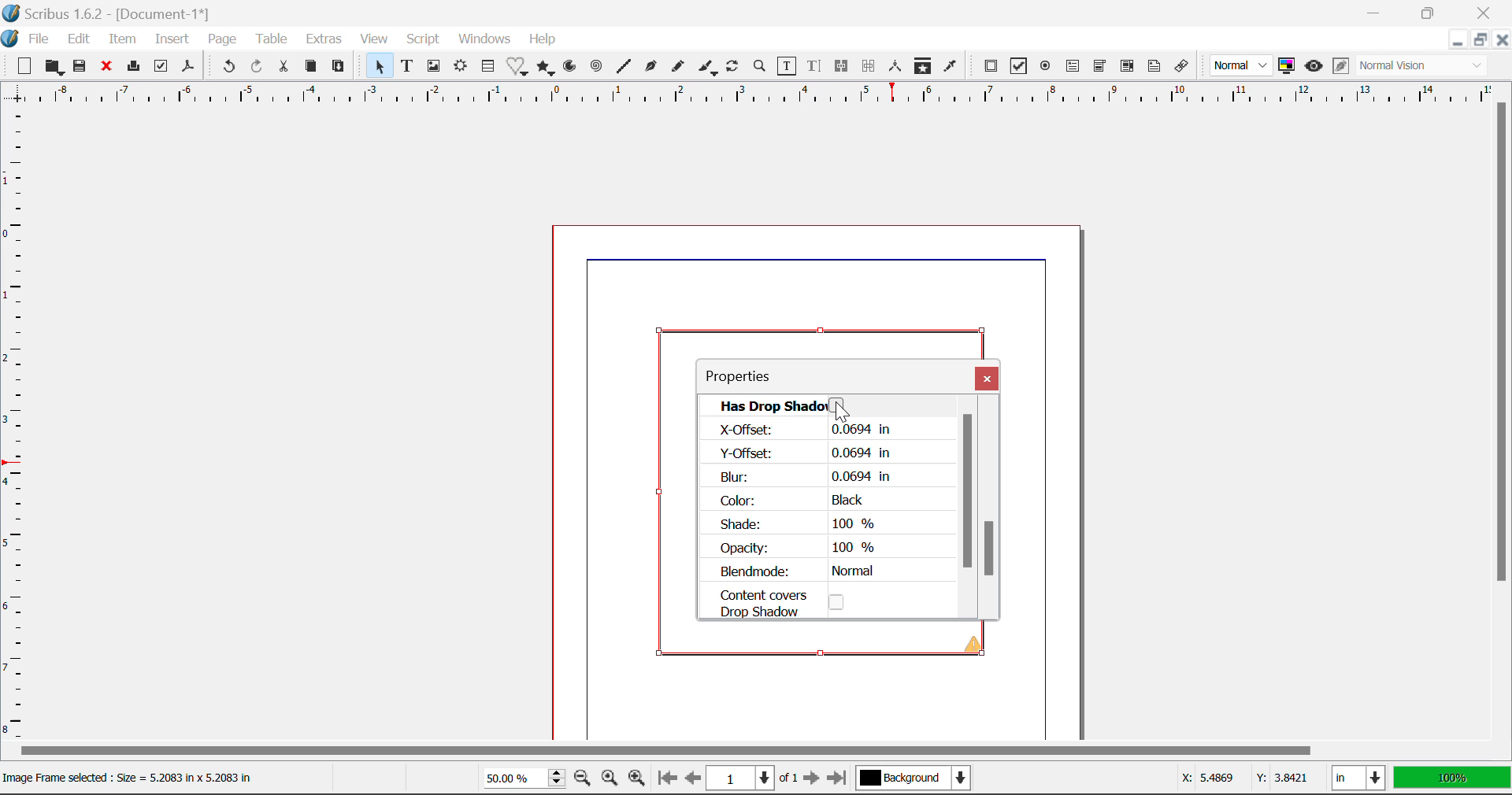 The image size is (1512, 795). I want to click on logo, so click(11, 39).